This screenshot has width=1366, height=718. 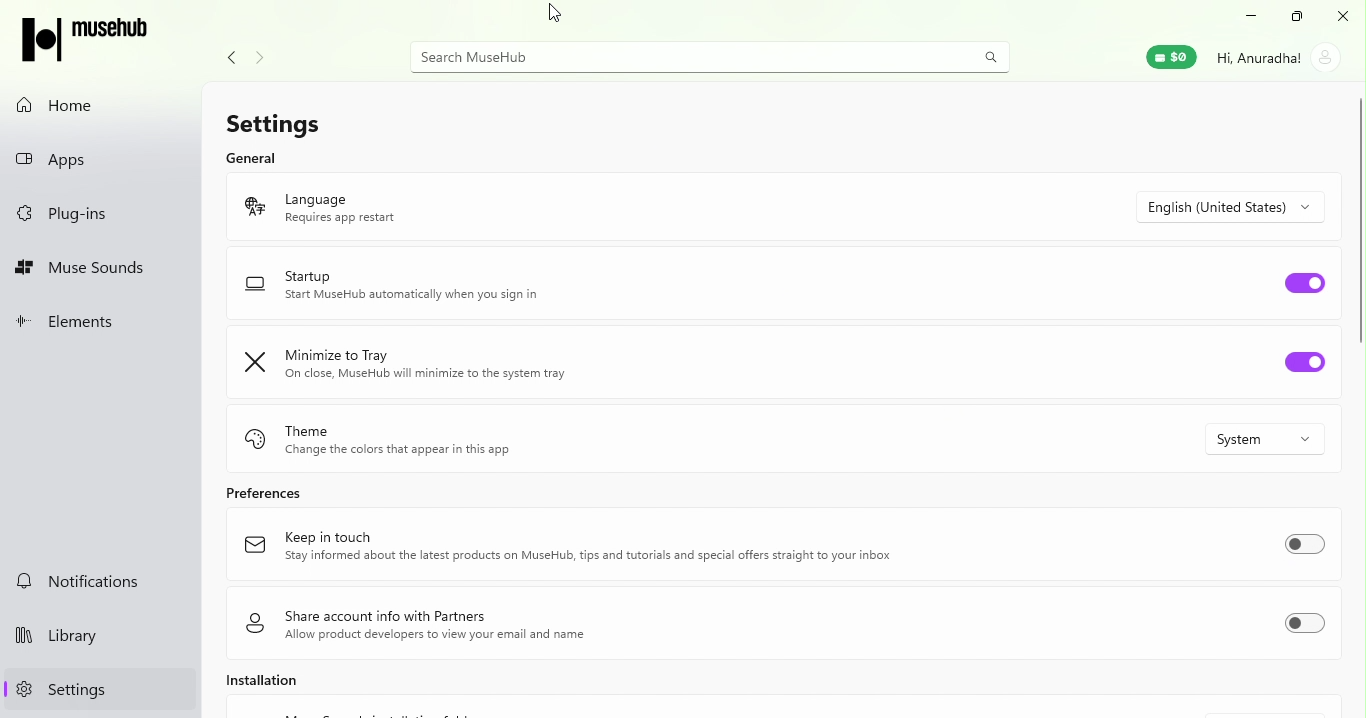 I want to click on Muse sounds, so click(x=102, y=266).